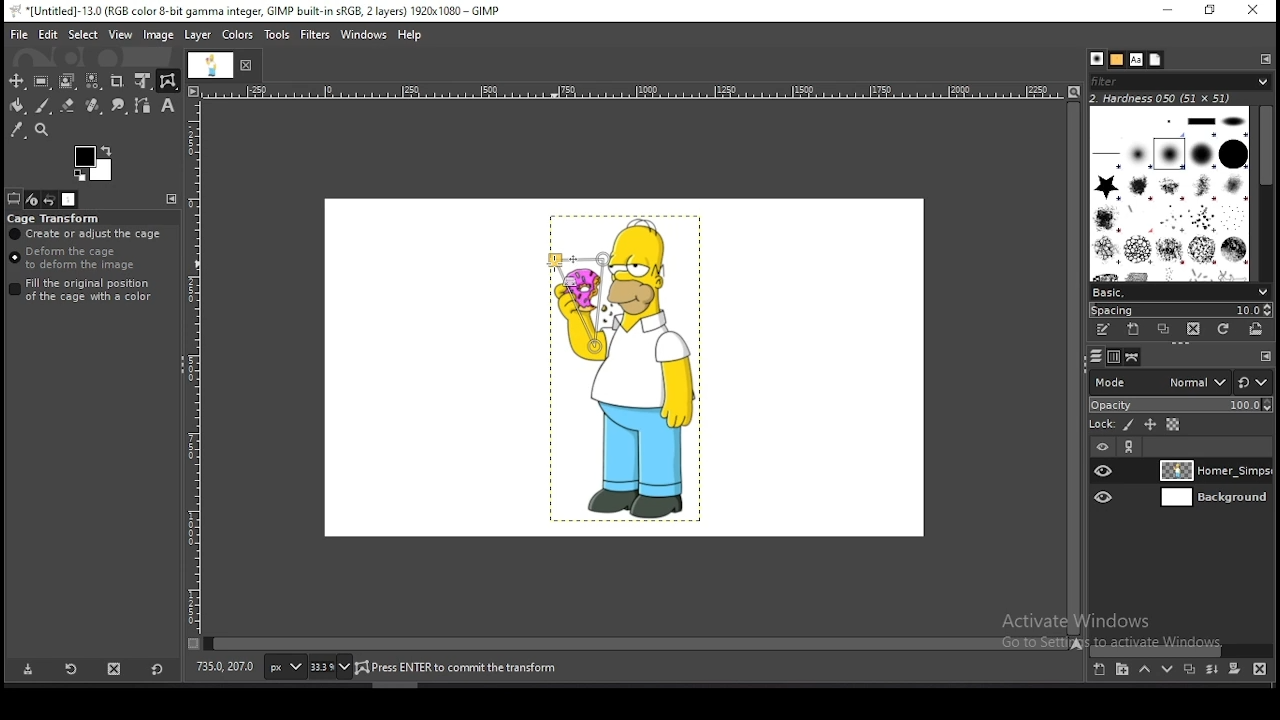 The image size is (1280, 720). Describe the element at coordinates (1264, 190) in the screenshot. I see `scroll bar` at that location.